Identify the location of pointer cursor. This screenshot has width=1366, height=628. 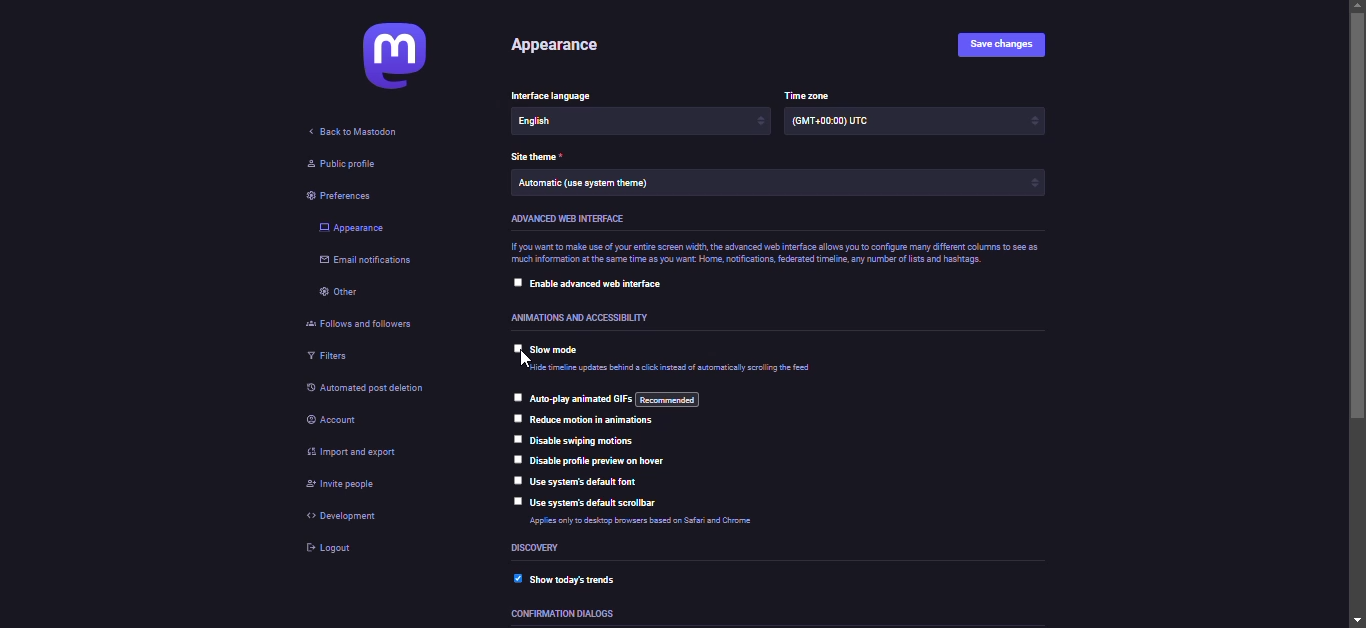
(526, 359).